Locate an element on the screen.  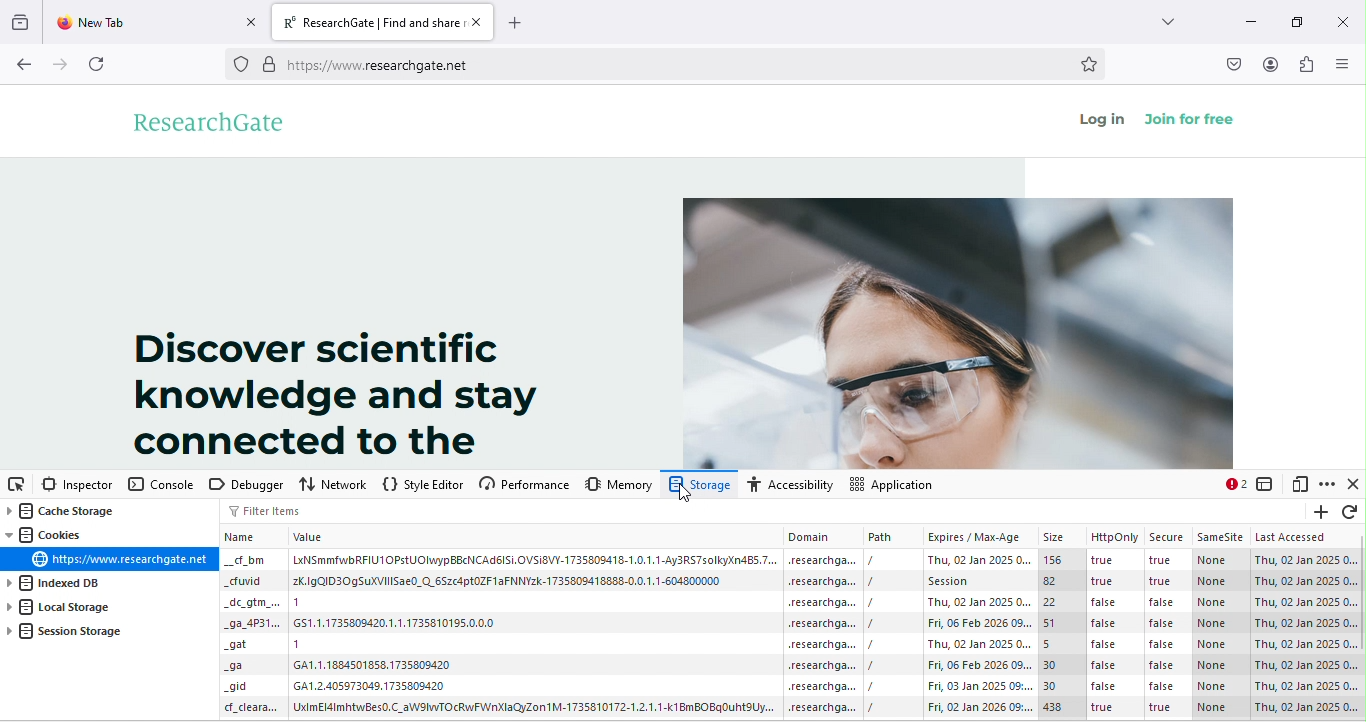
http only is located at coordinates (1114, 538).